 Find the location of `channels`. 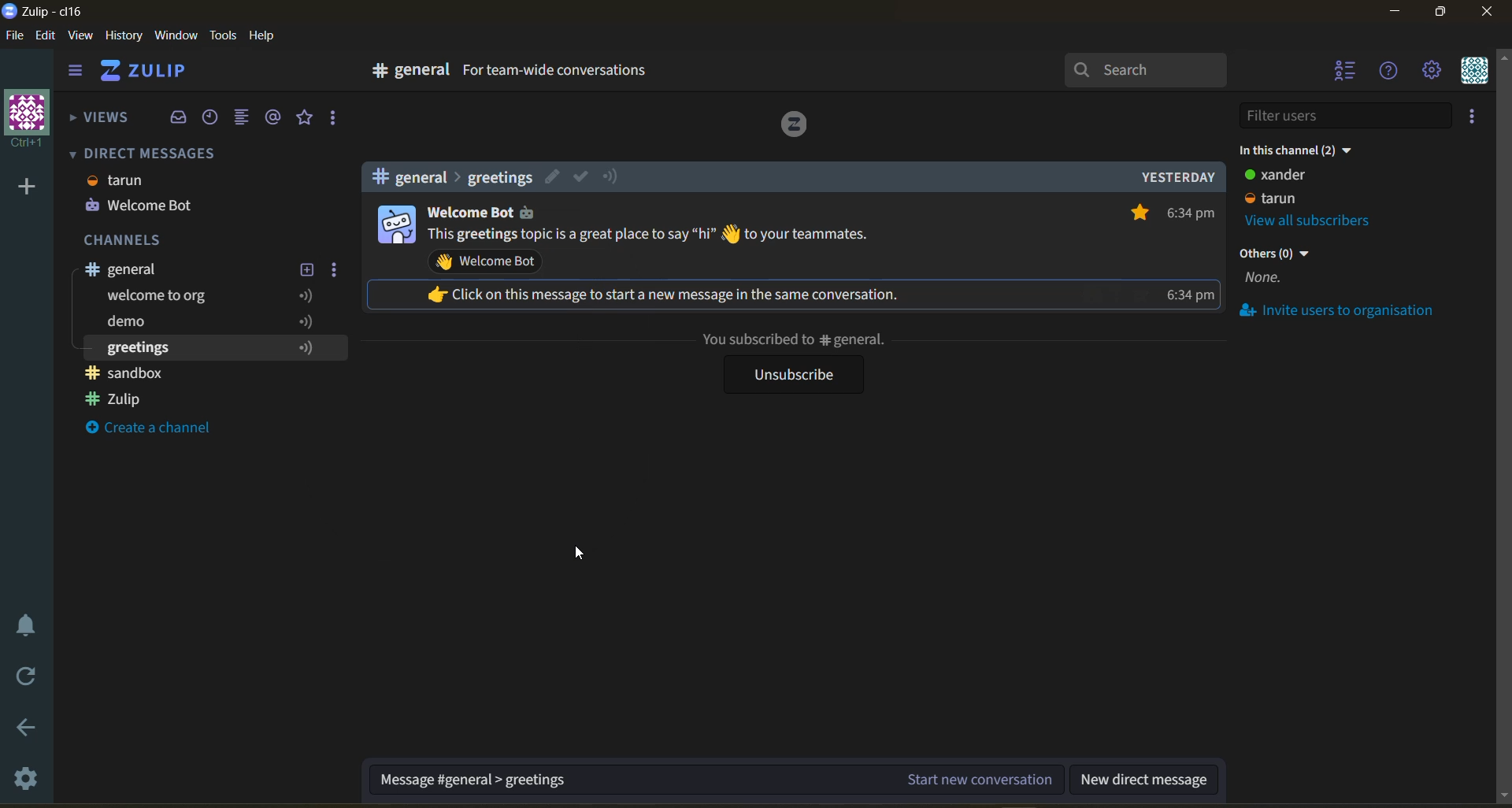

channels is located at coordinates (135, 239).